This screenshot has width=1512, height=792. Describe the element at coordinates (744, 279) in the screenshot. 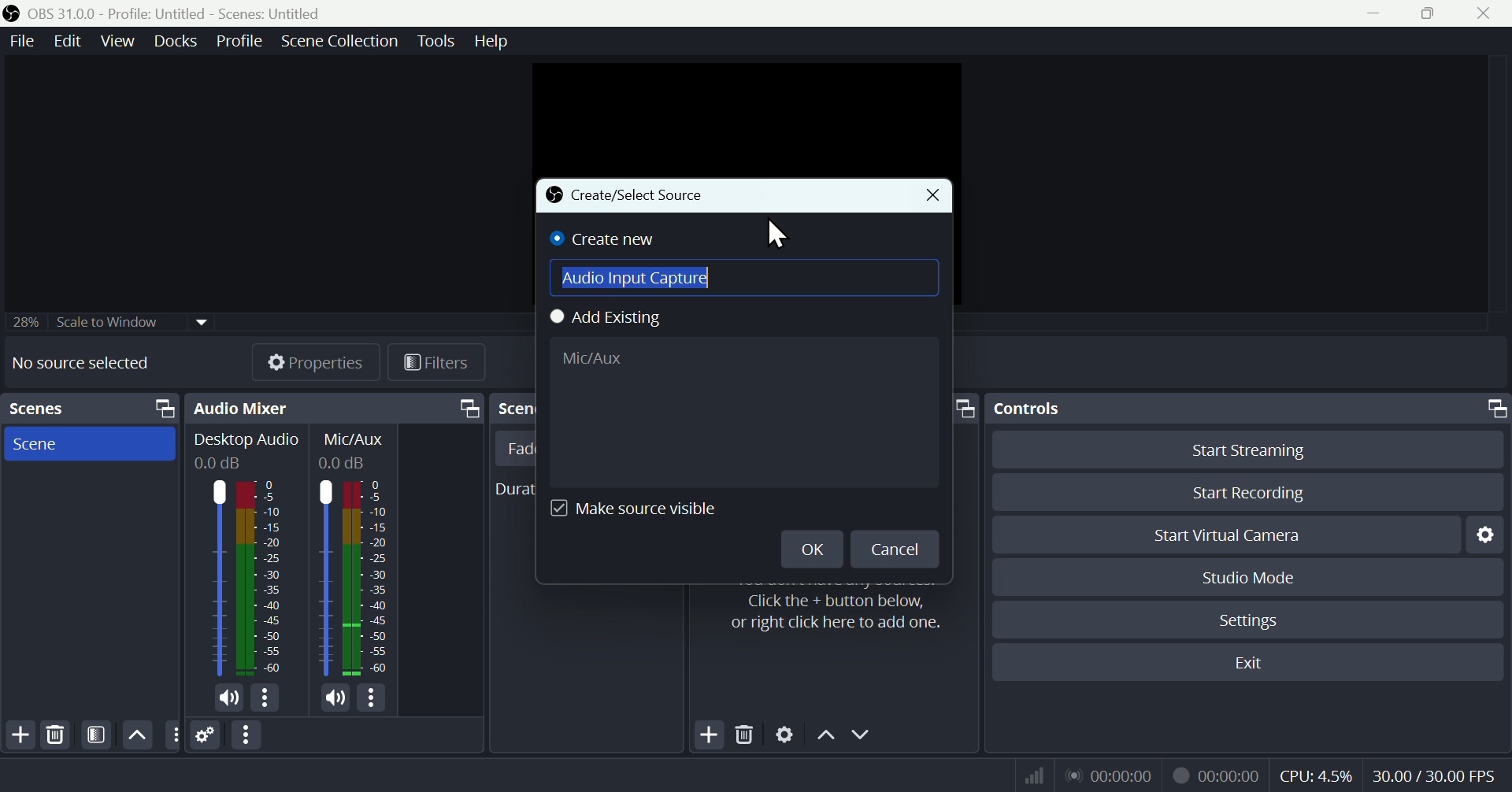

I see `New Source name` at that location.